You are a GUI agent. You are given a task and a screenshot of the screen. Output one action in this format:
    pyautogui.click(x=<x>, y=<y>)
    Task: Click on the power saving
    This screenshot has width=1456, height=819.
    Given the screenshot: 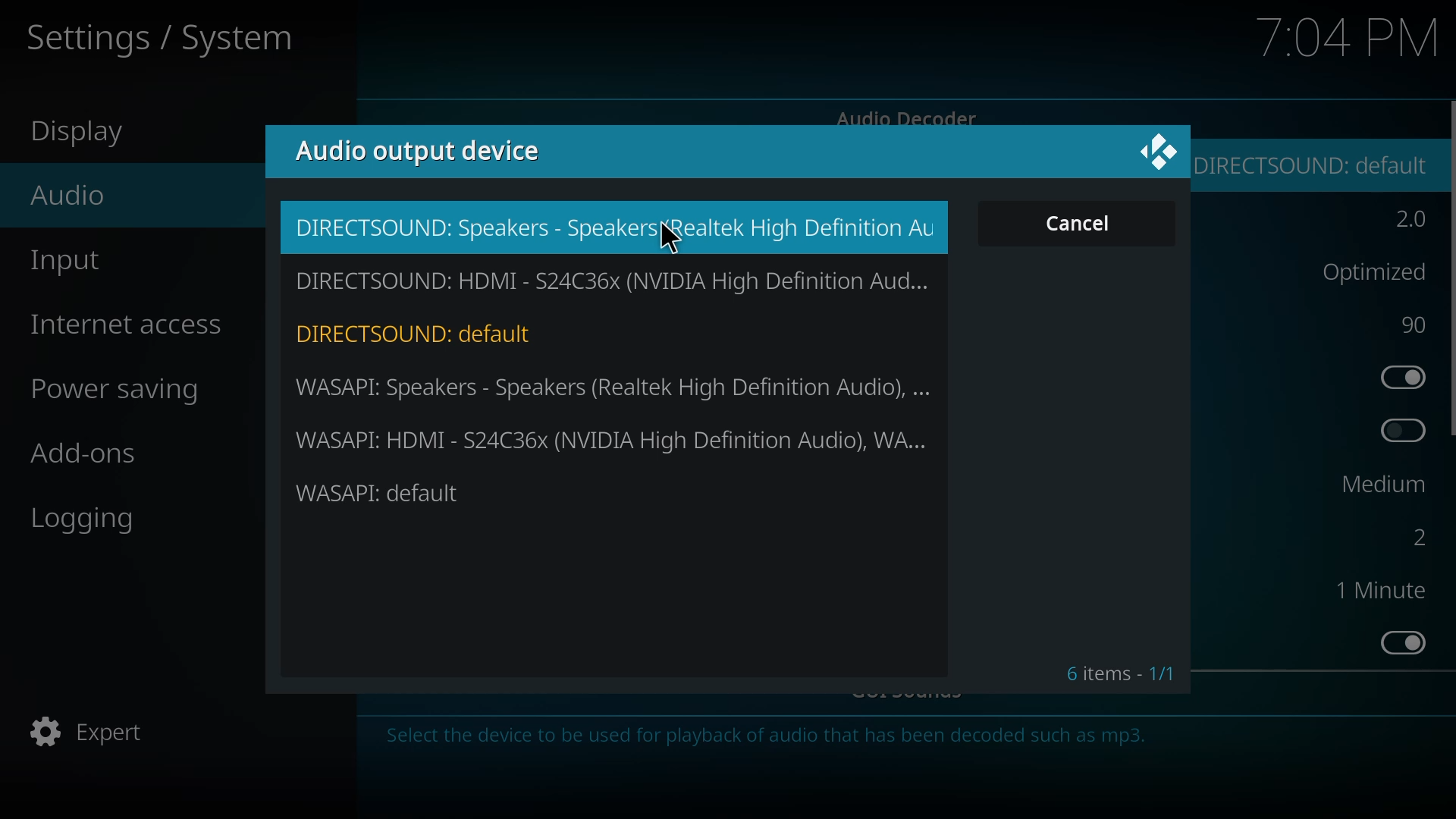 What is the action you would take?
    pyautogui.click(x=125, y=392)
    